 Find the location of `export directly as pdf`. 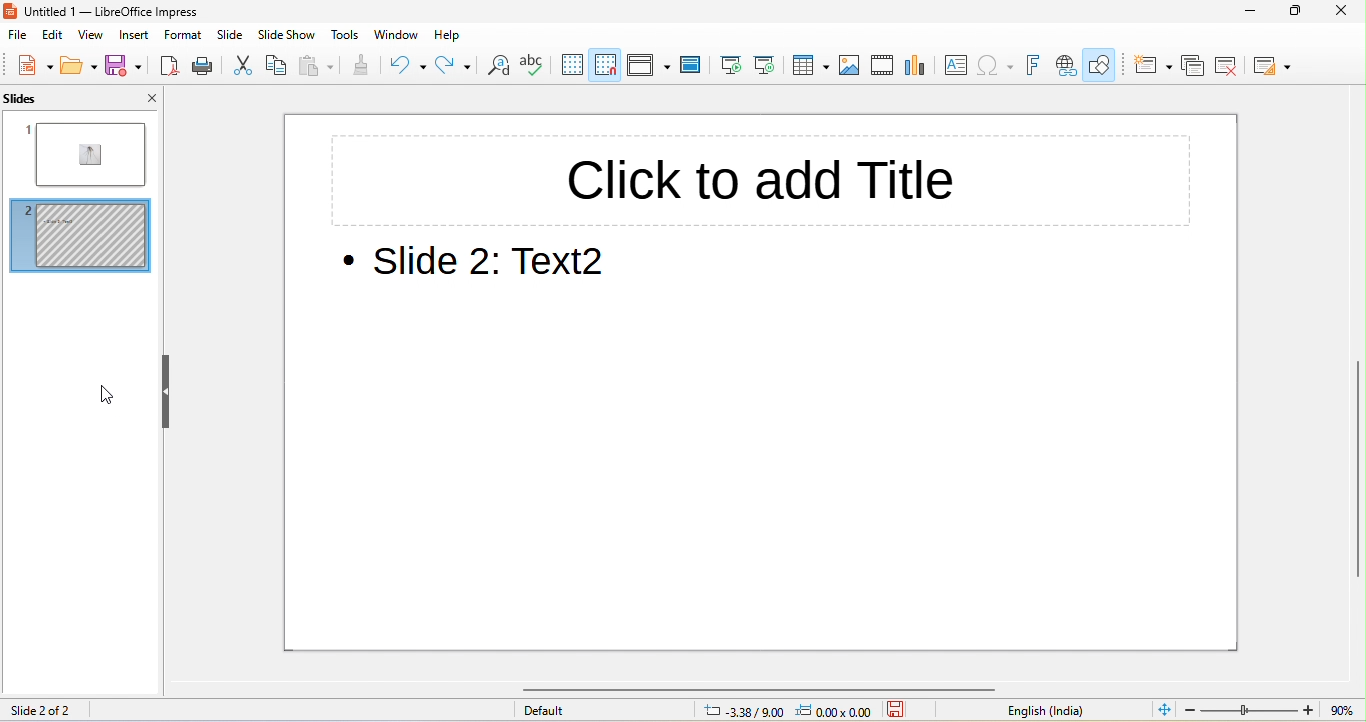

export directly as pdf is located at coordinates (170, 67).